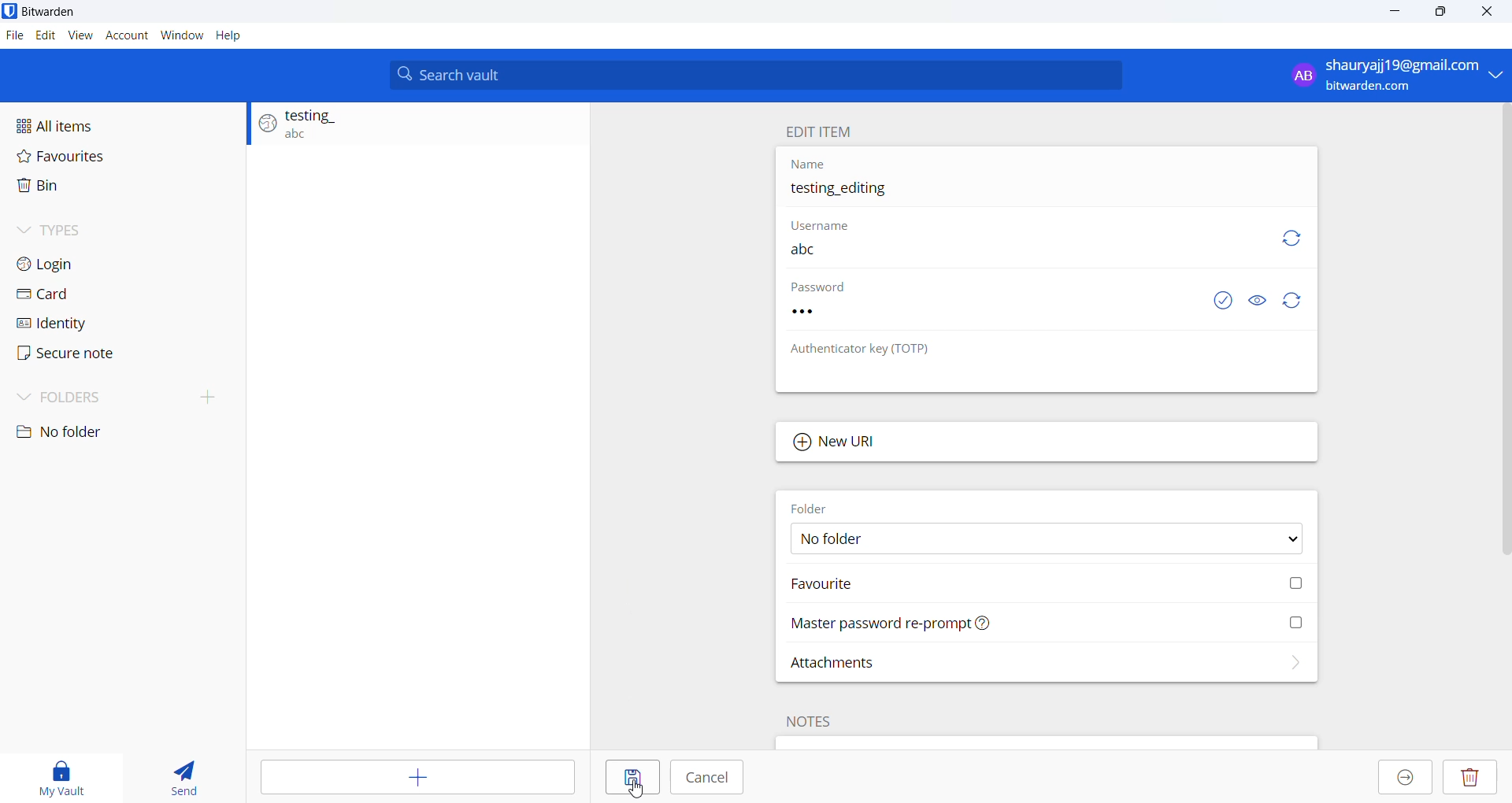  What do you see at coordinates (976, 316) in the screenshot?
I see `Password input` at bounding box center [976, 316].